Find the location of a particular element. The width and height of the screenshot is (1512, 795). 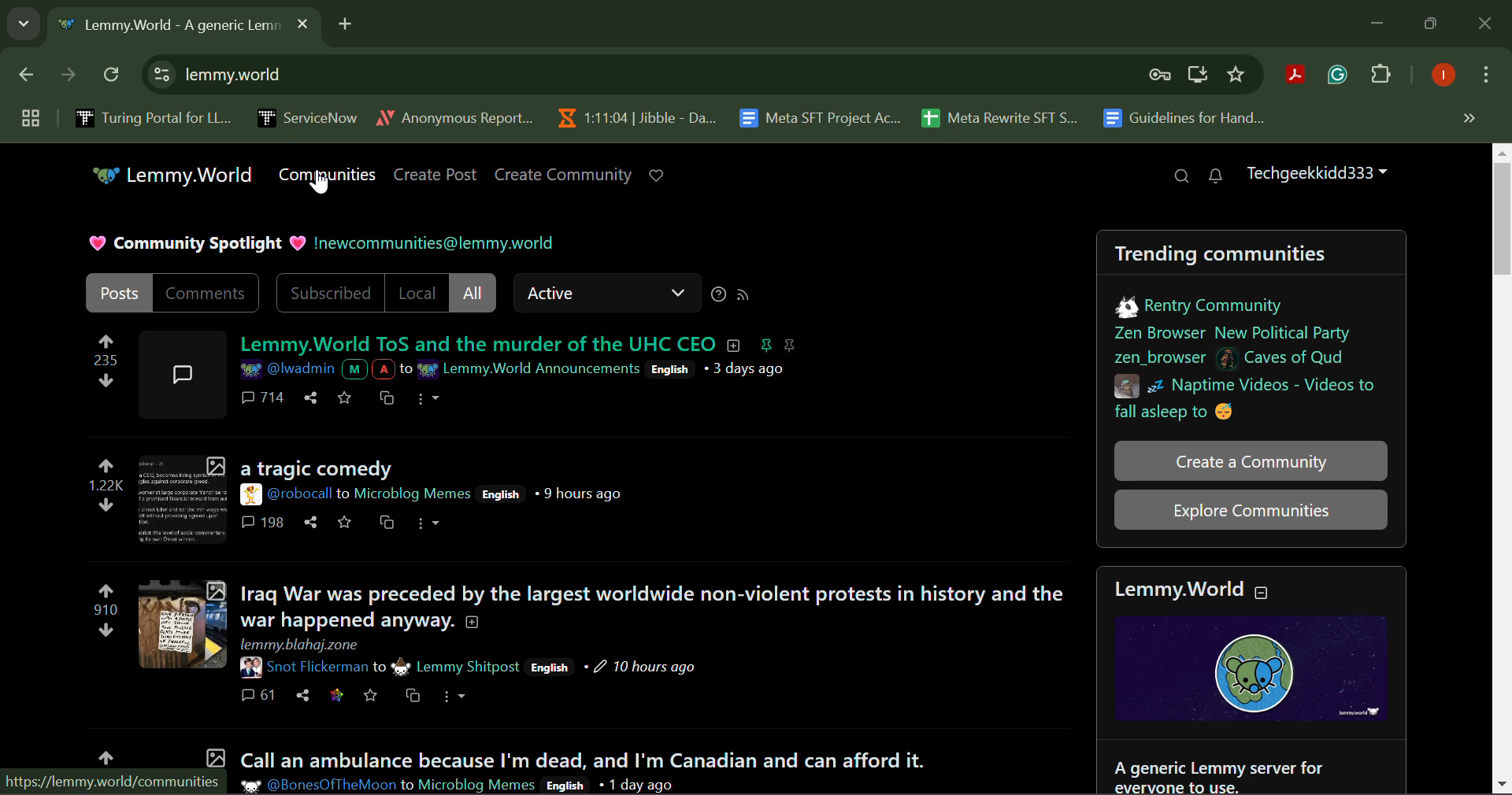

RSS is located at coordinates (745, 294).